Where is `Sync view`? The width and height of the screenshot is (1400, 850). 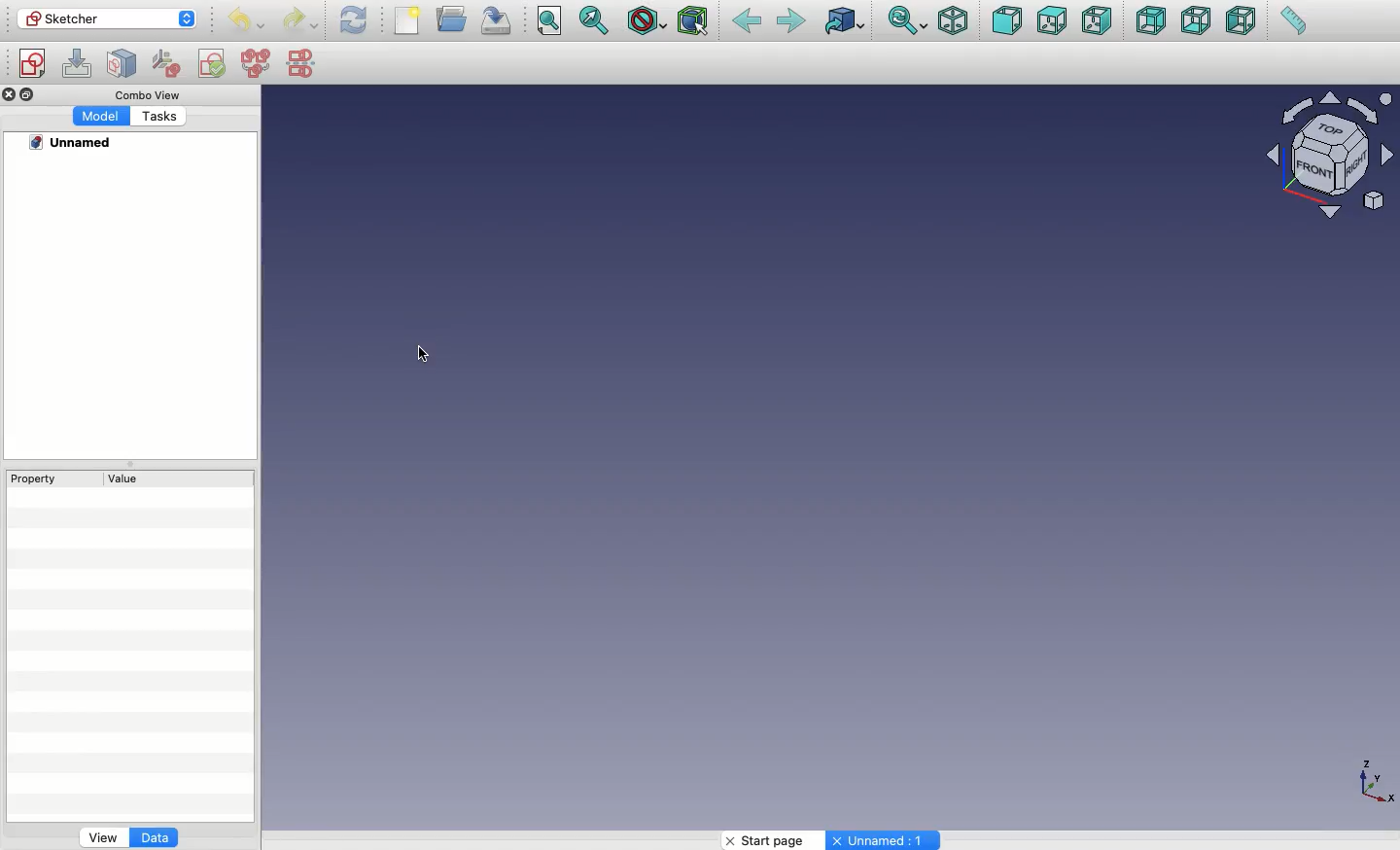 Sync view is located at coordinates (909, 20).